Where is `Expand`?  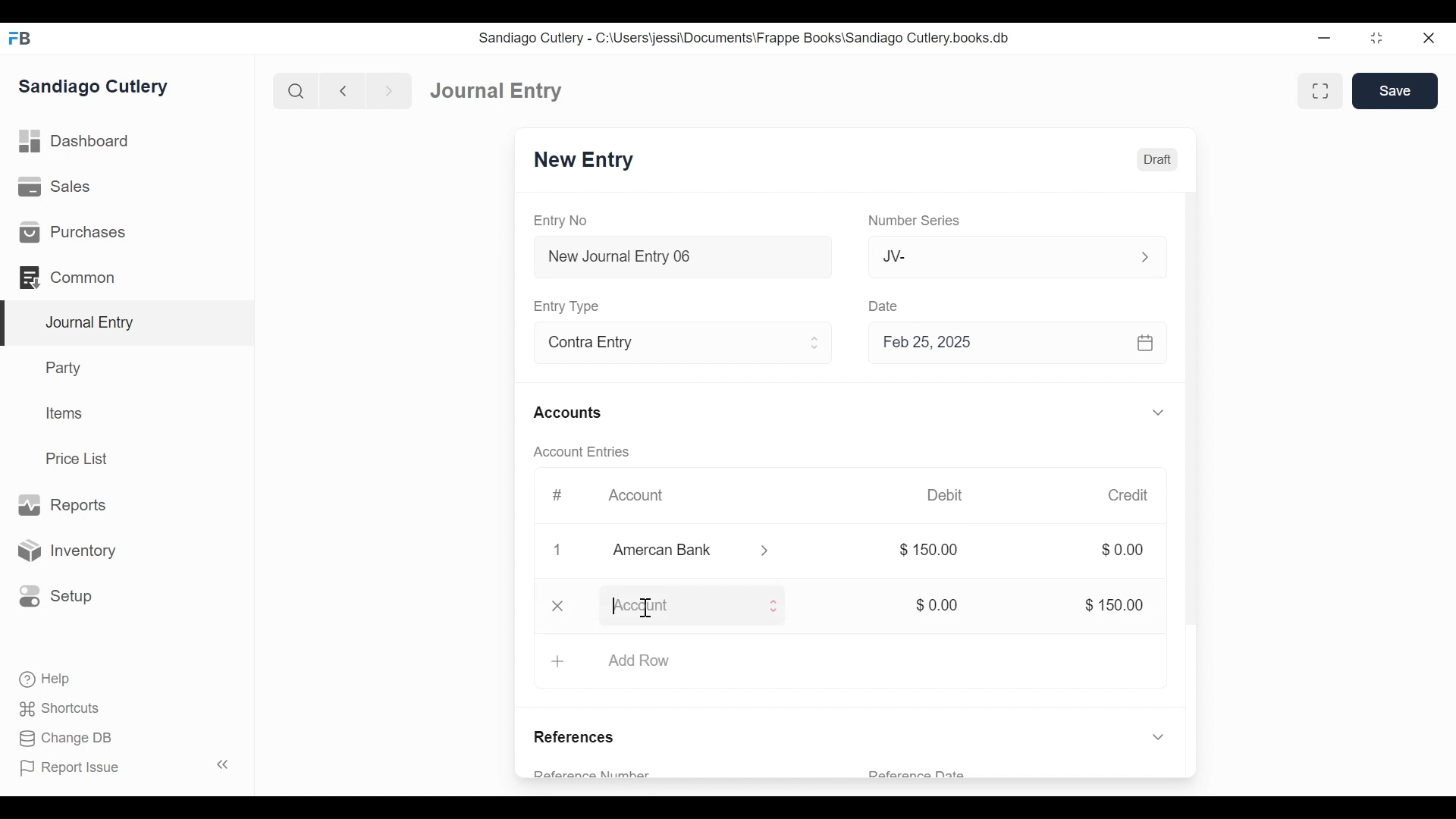
Expand is located at coordinates (1158, 682).